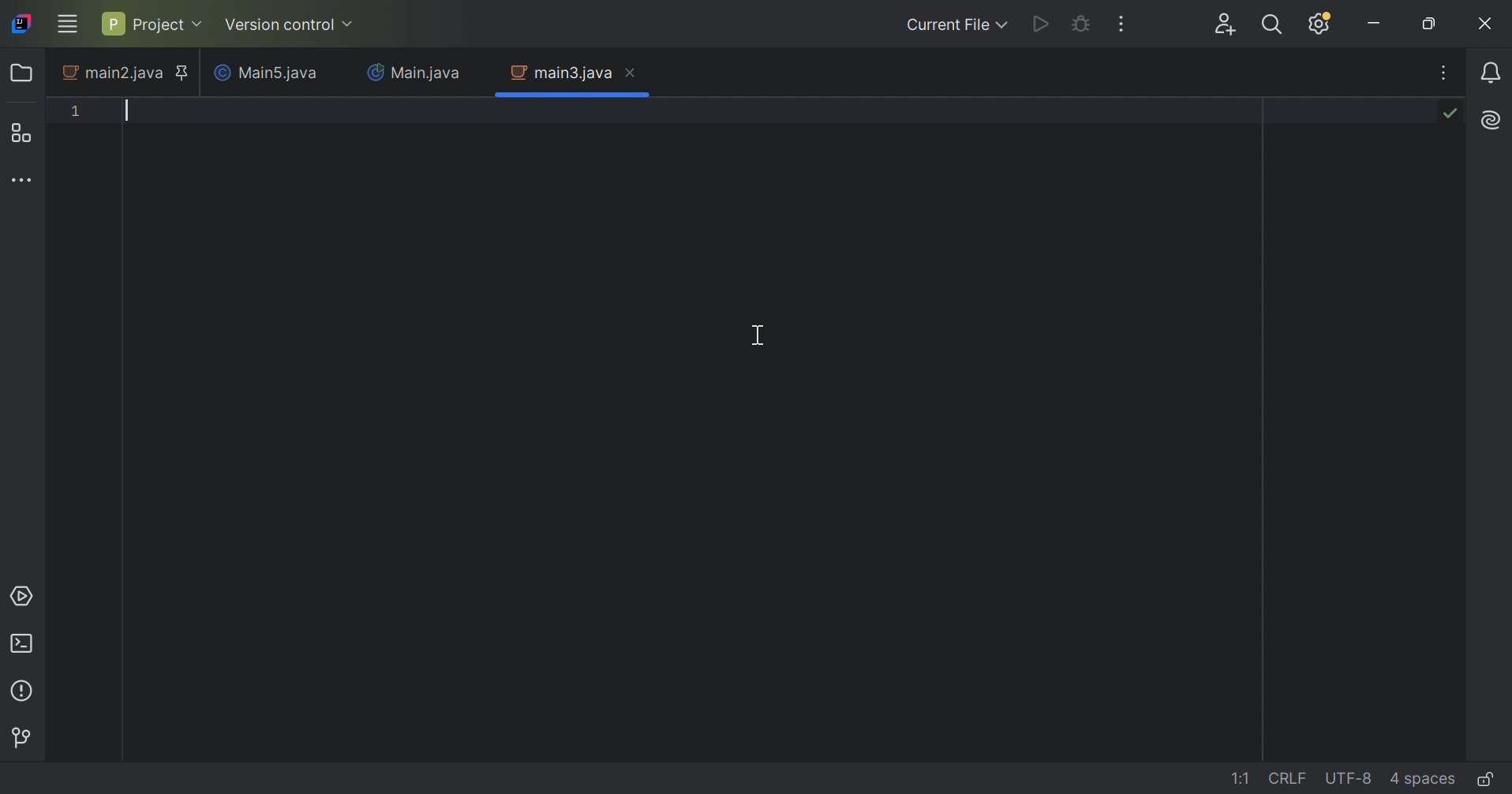 This screenshot has height=794, width=1512. What do you see at coordinates (183, 73) in the screenshot?
I see `Pinned tab` at bounding box center [183, 73].